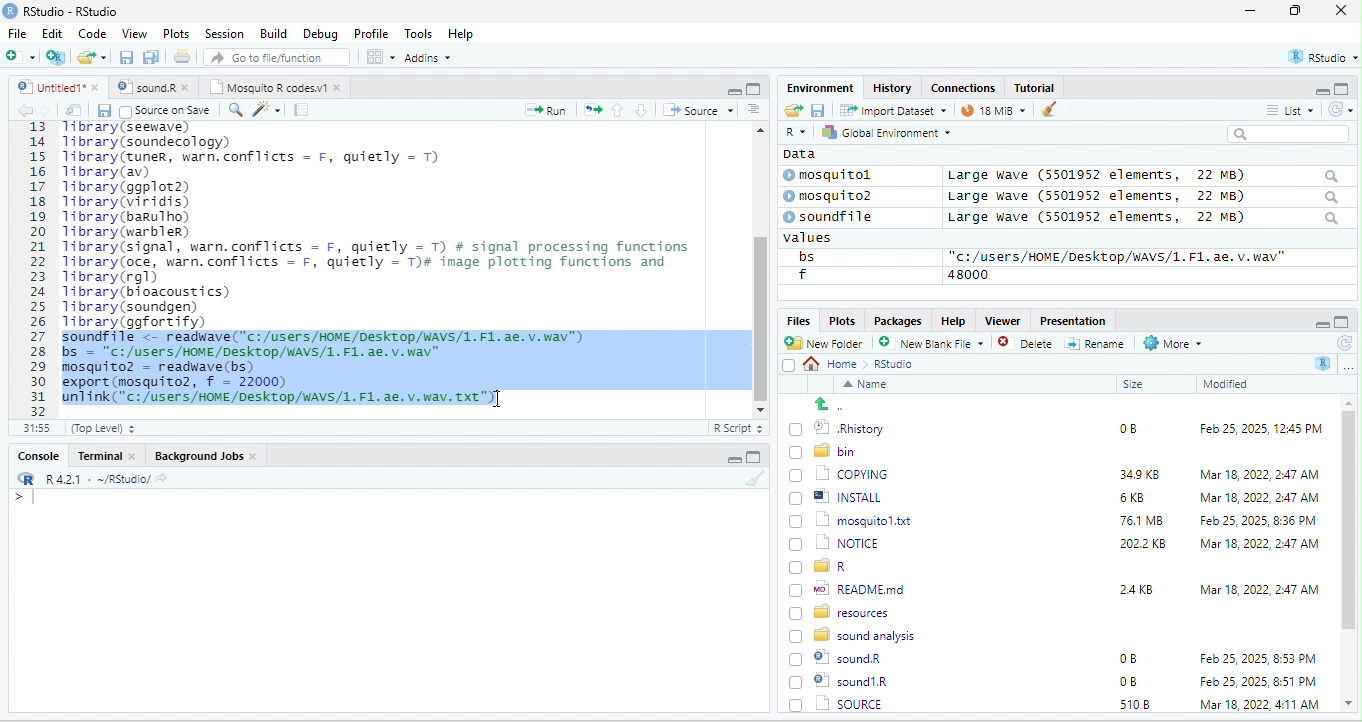 This screenshot has height=722, width=1362. I want to click on up, so click(619, 109).